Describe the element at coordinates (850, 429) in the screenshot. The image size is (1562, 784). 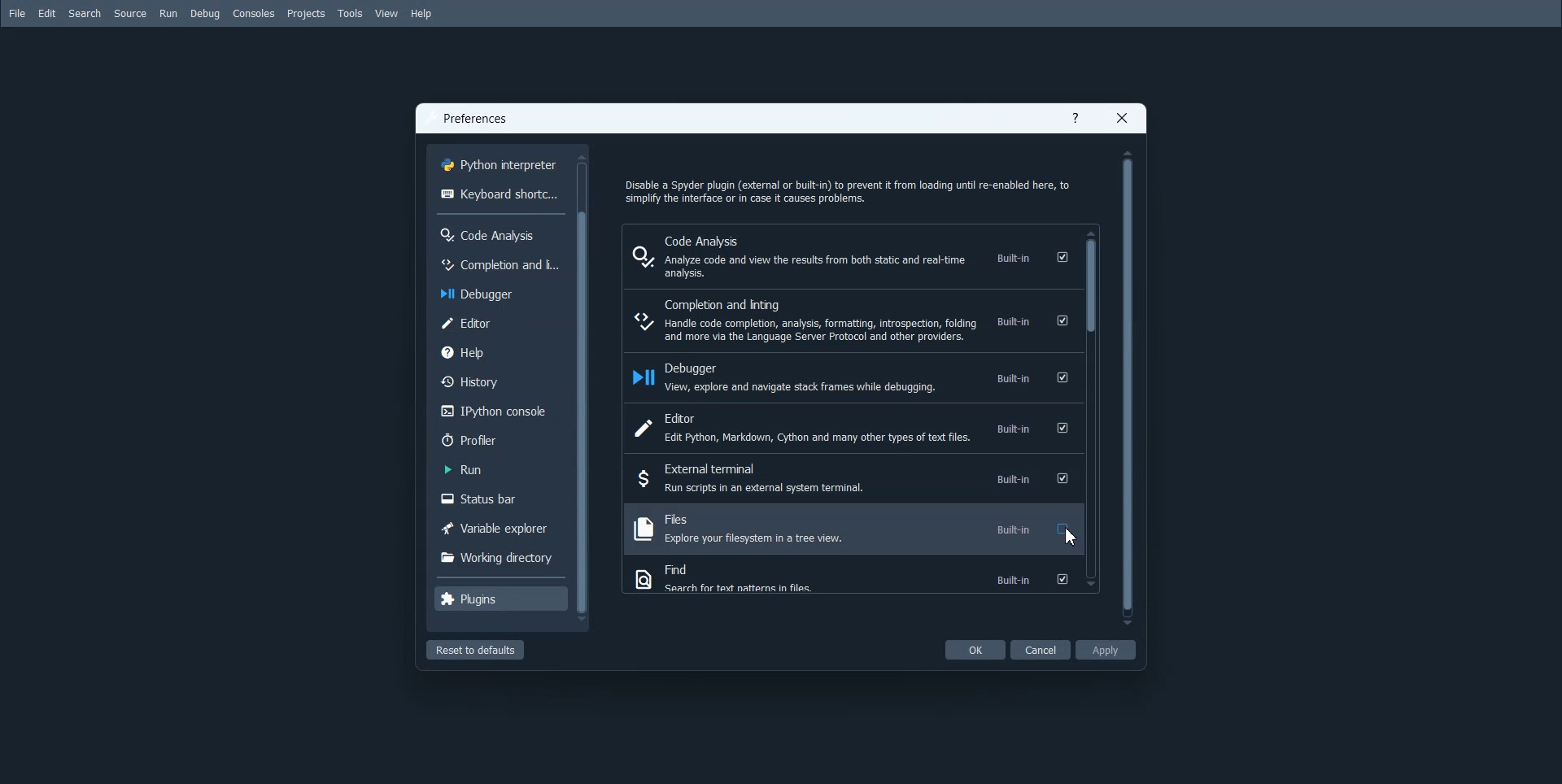
I see `Editor` at that location.